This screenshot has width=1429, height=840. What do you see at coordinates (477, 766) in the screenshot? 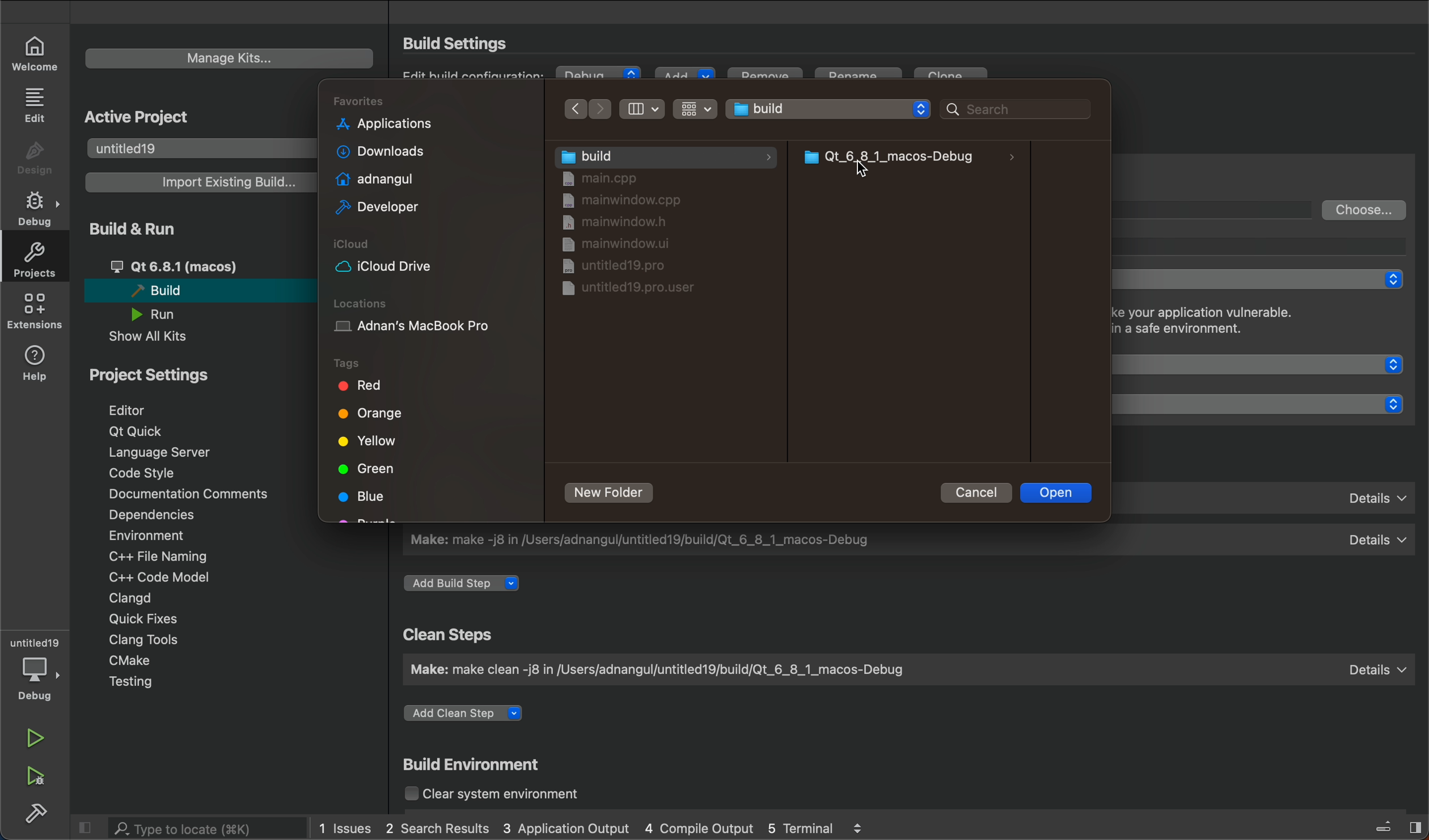
I see `build environment ` at bounding box center [477, 766].